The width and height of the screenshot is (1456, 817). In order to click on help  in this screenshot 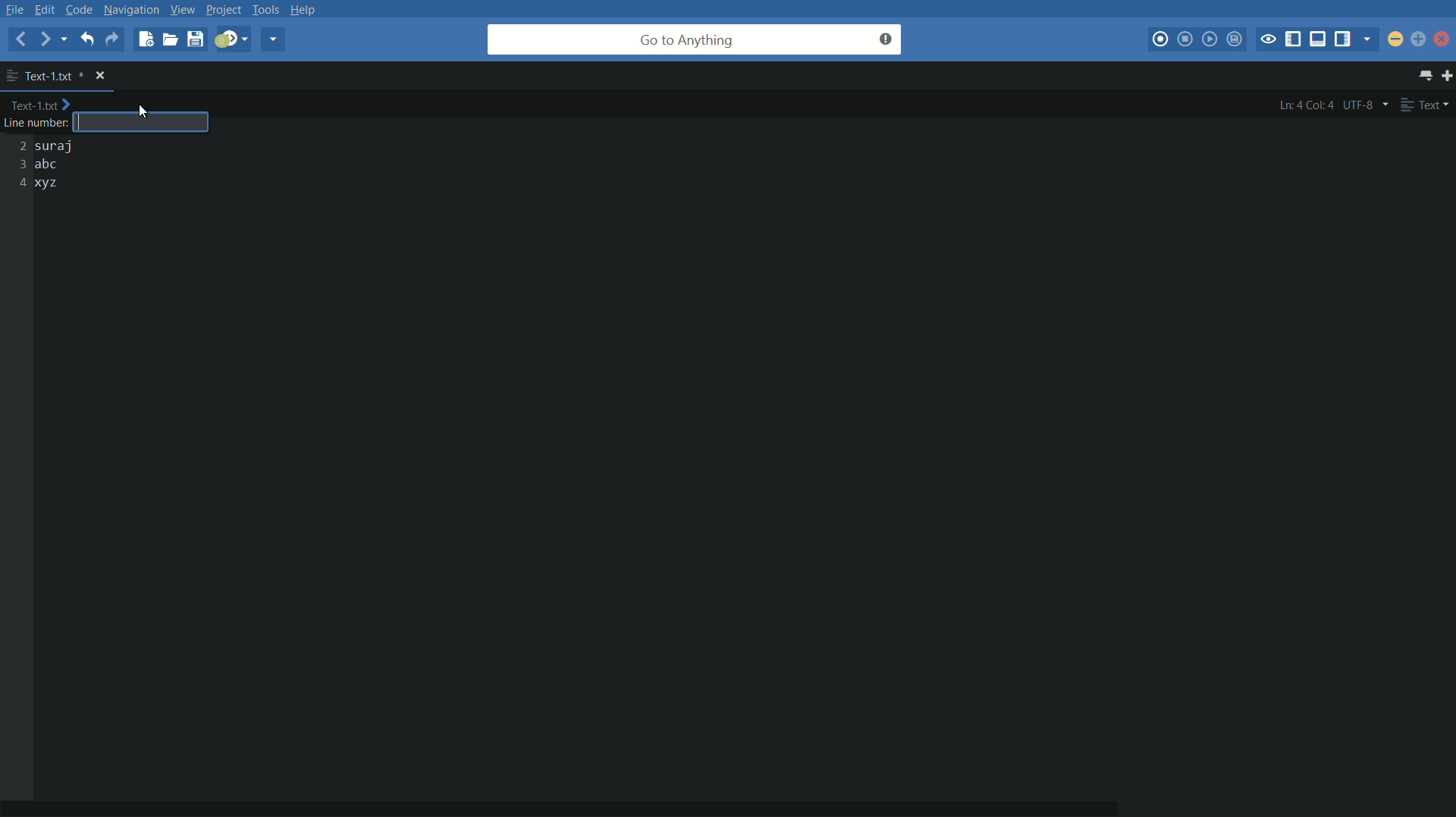, I will do `click(308, 9)`.